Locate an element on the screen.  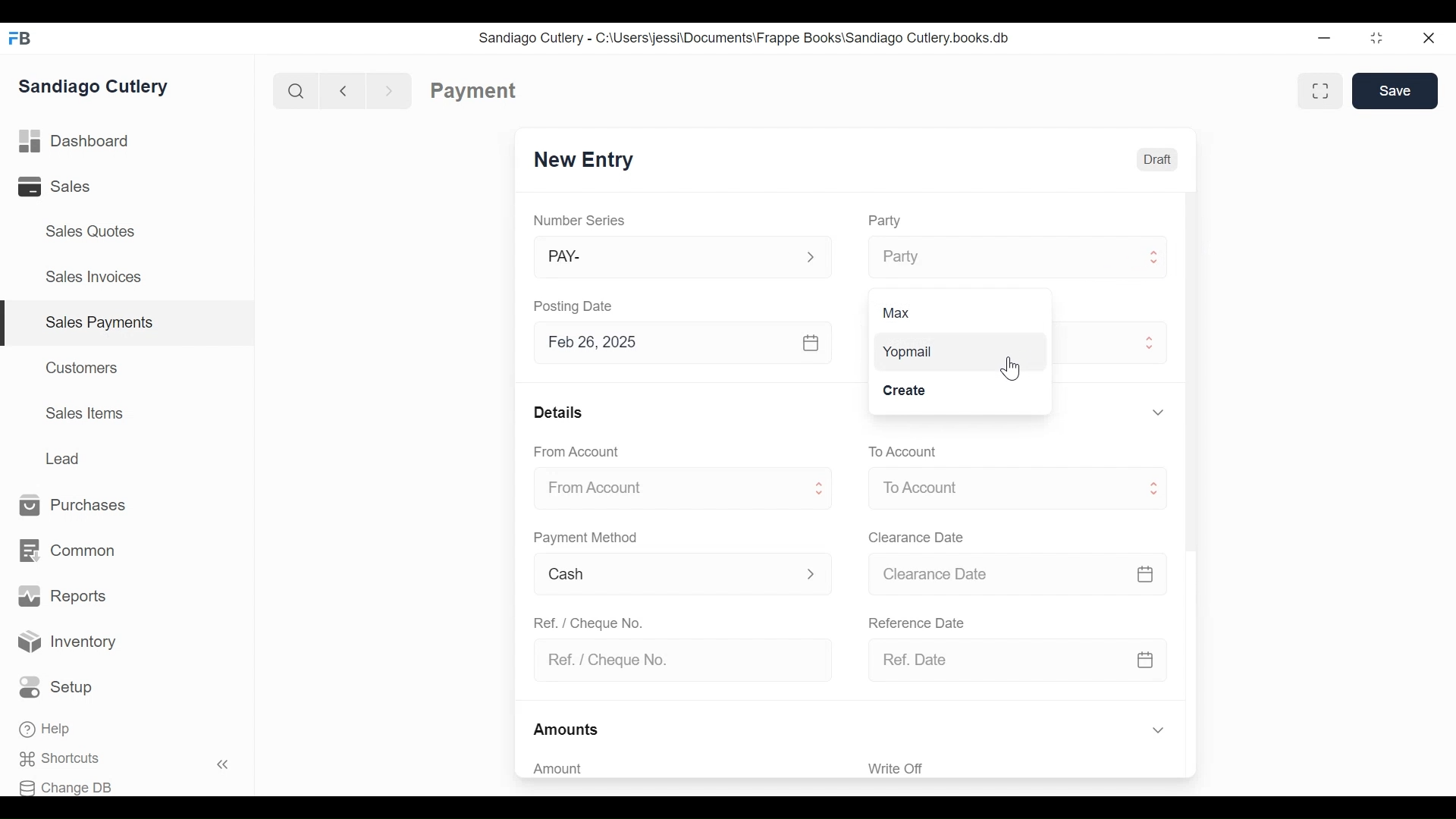
To Account is located at coordinates (902, 452).